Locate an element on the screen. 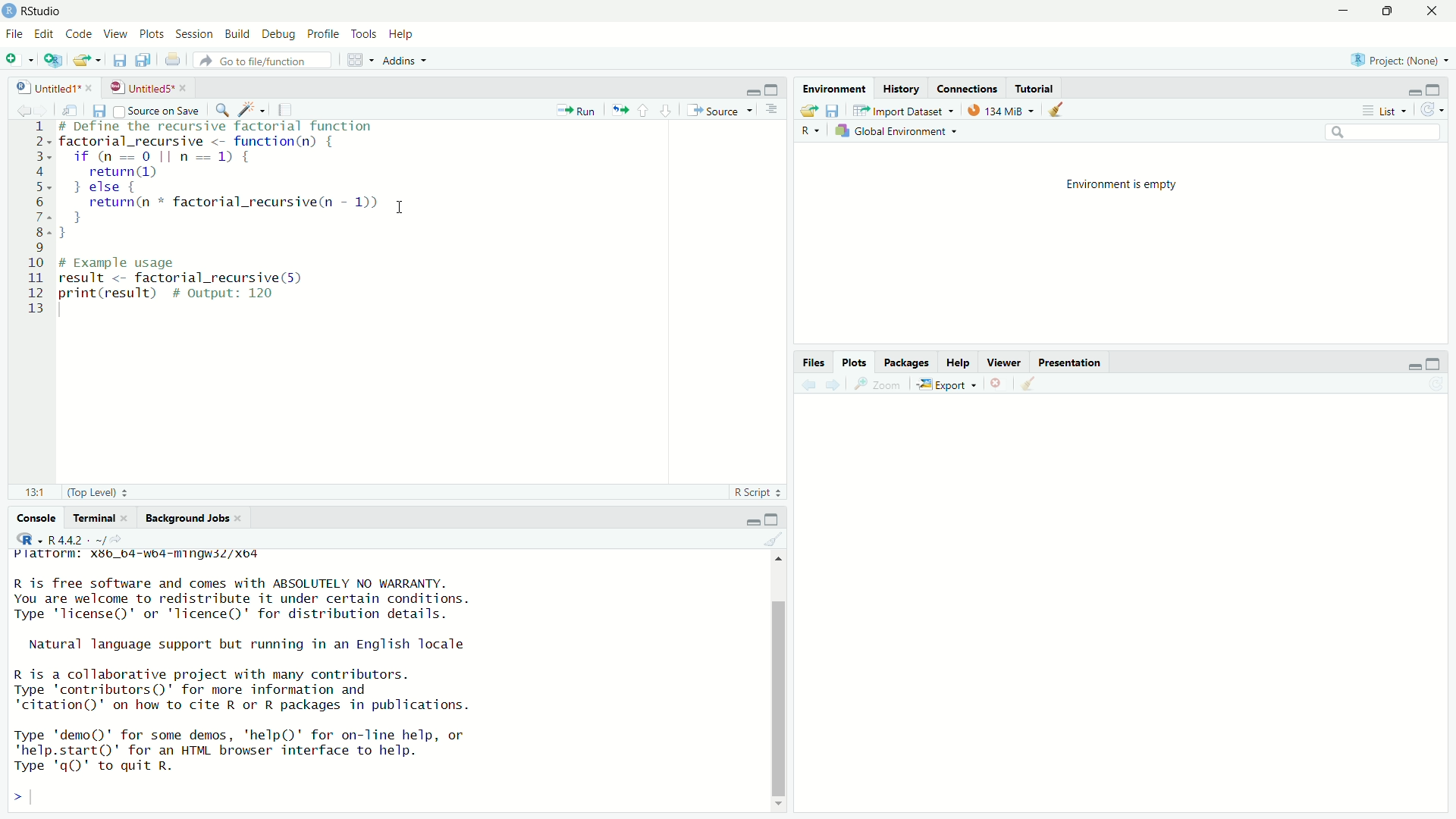  Search bar is located at coordinates (1388, 134).